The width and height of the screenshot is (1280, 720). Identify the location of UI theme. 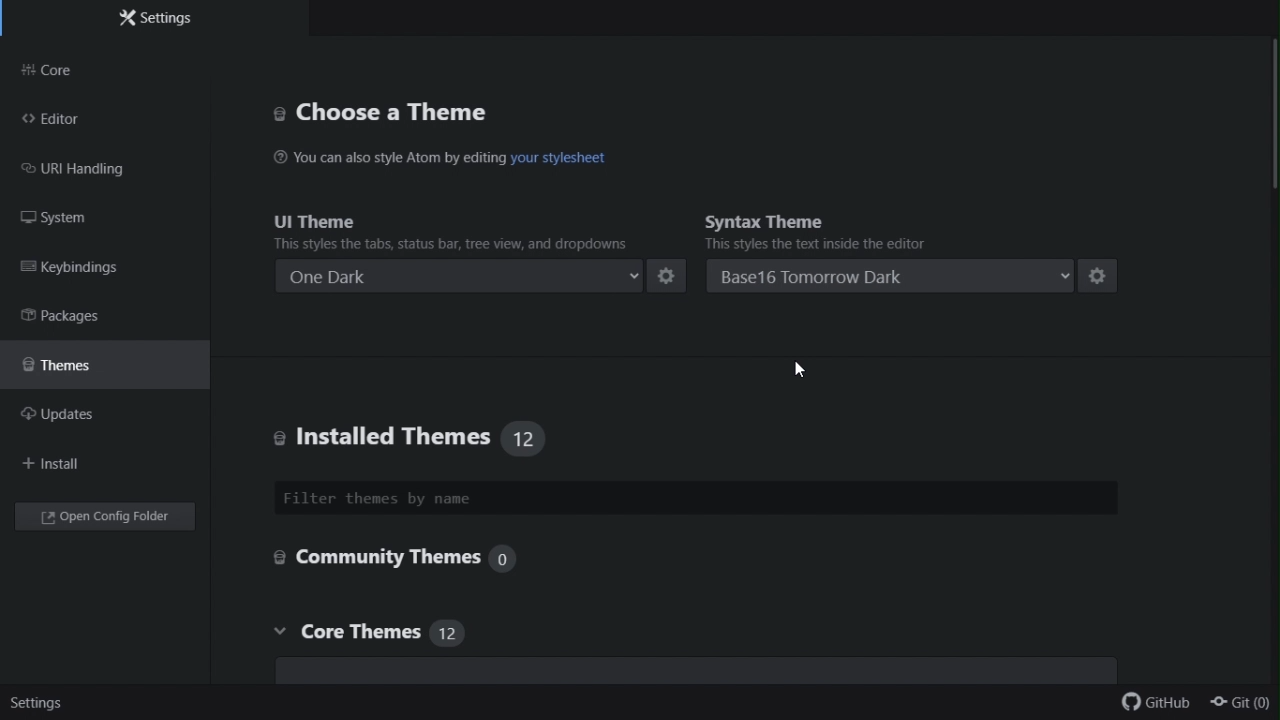
(446, 229).